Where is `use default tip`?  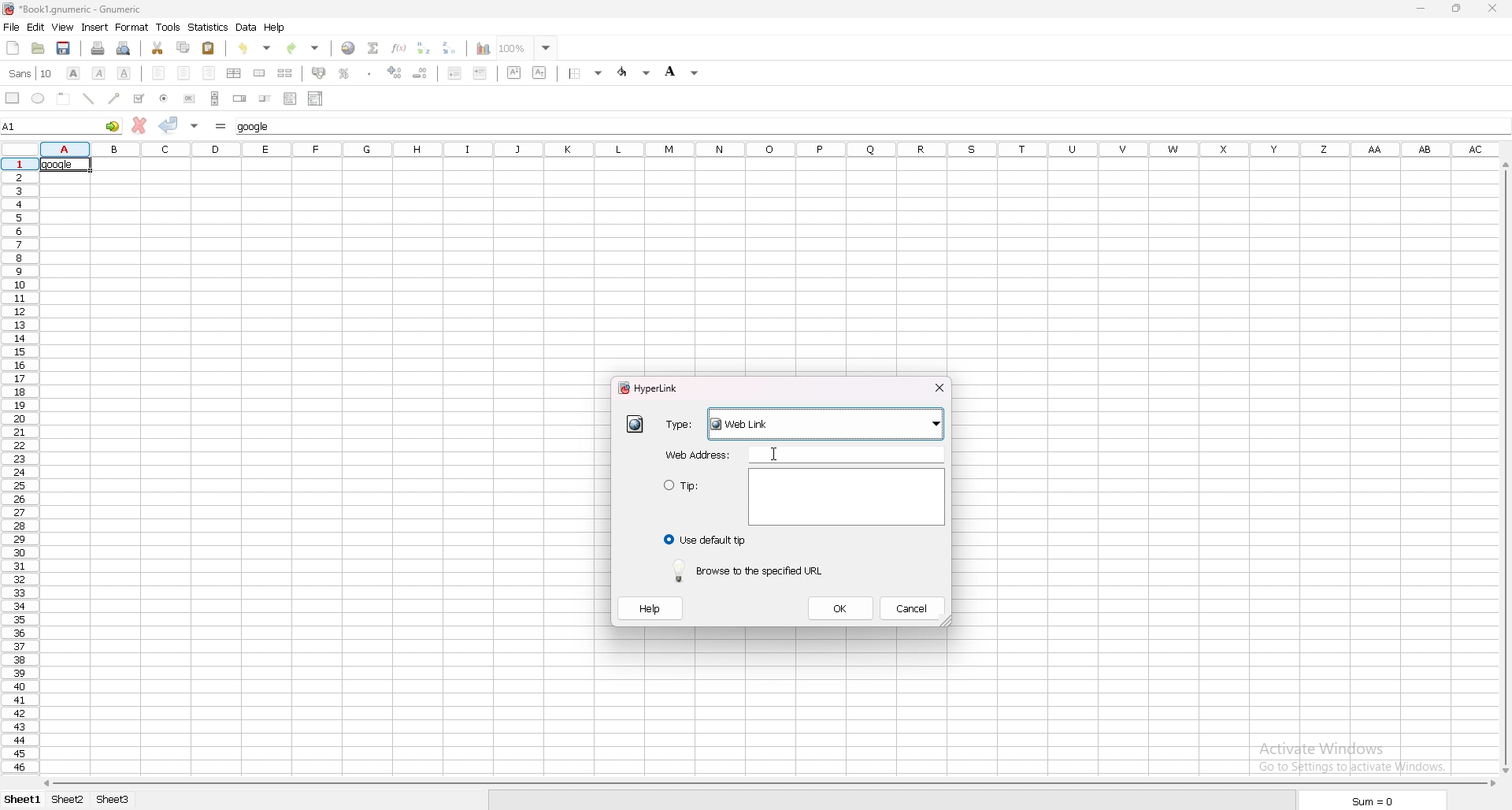 use default tip is located at coordinates (705, 540).